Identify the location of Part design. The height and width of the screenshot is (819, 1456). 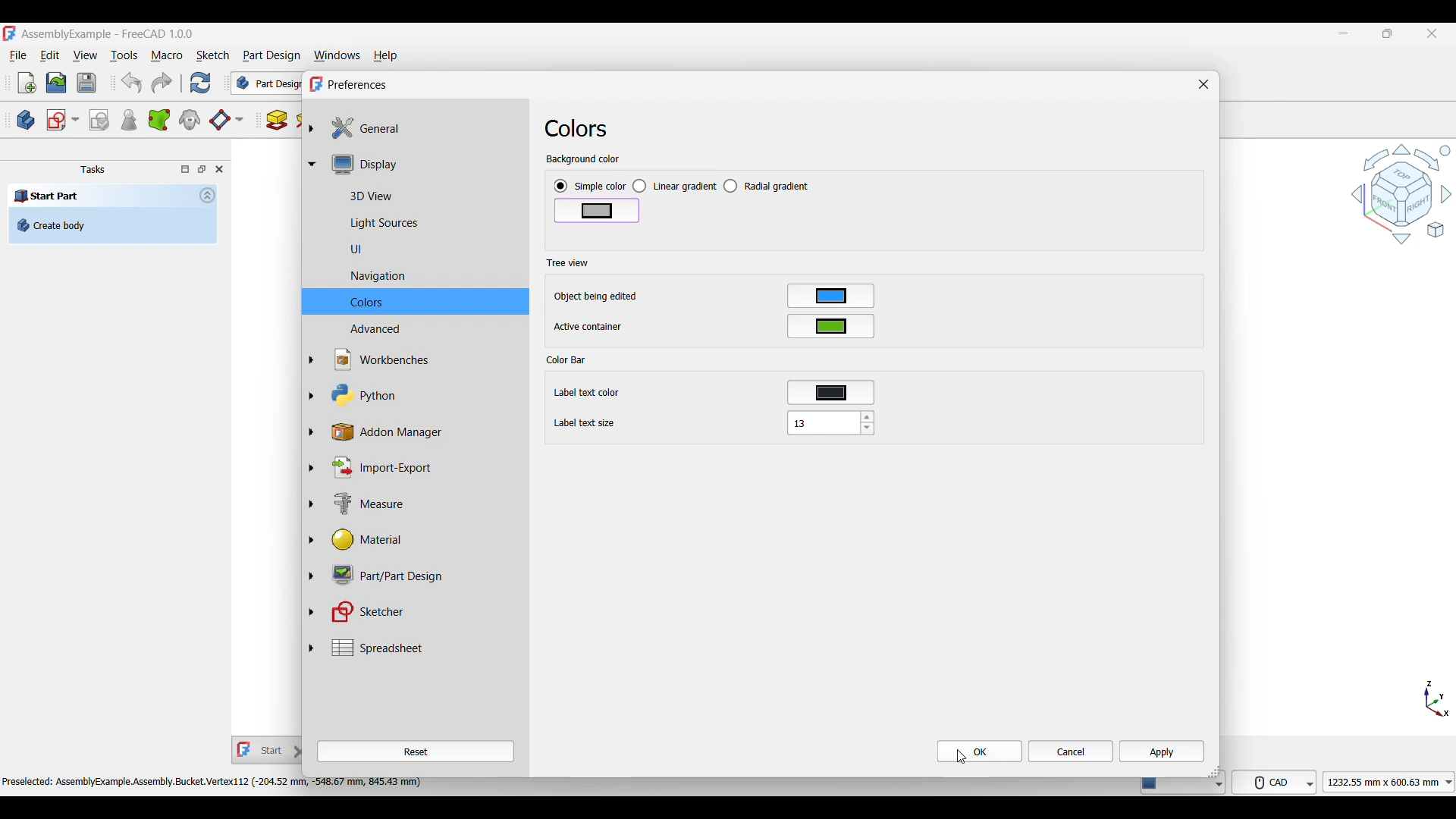
(271, 55).